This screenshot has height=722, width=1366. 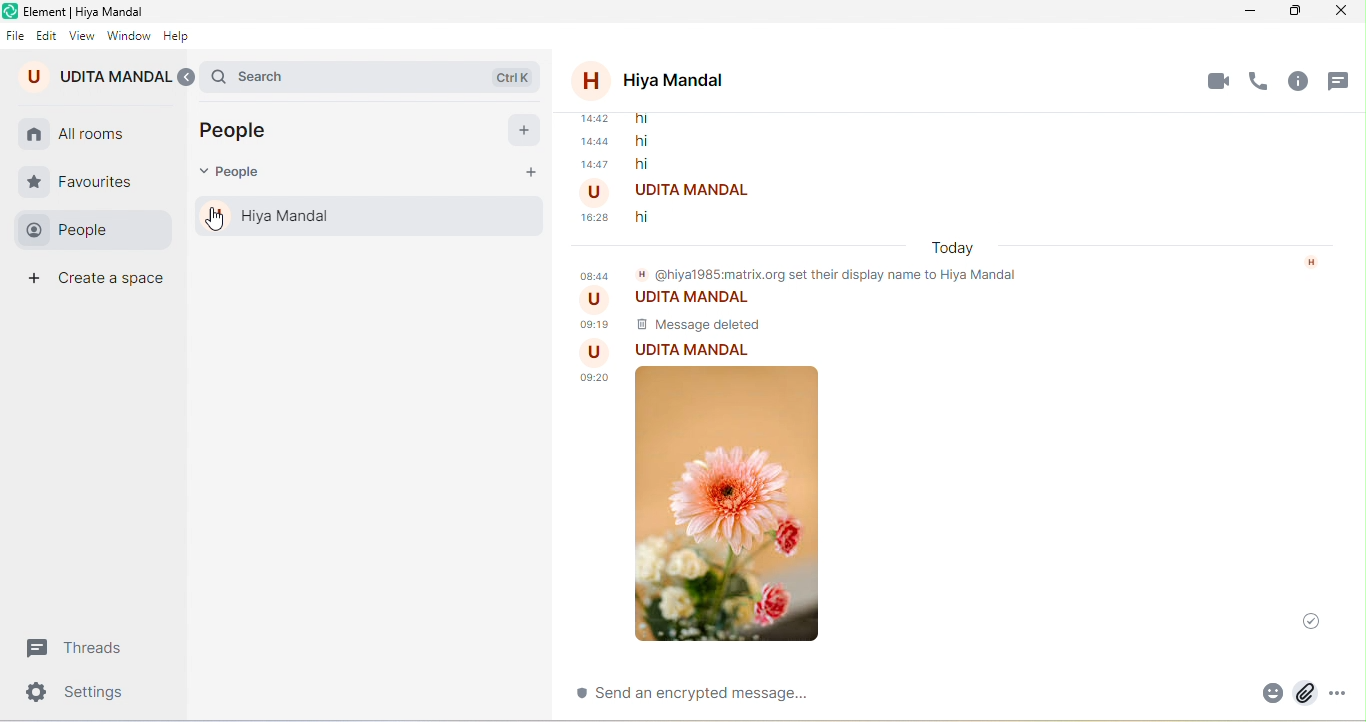 I want to click on start chat, so click(x=528, y=175).